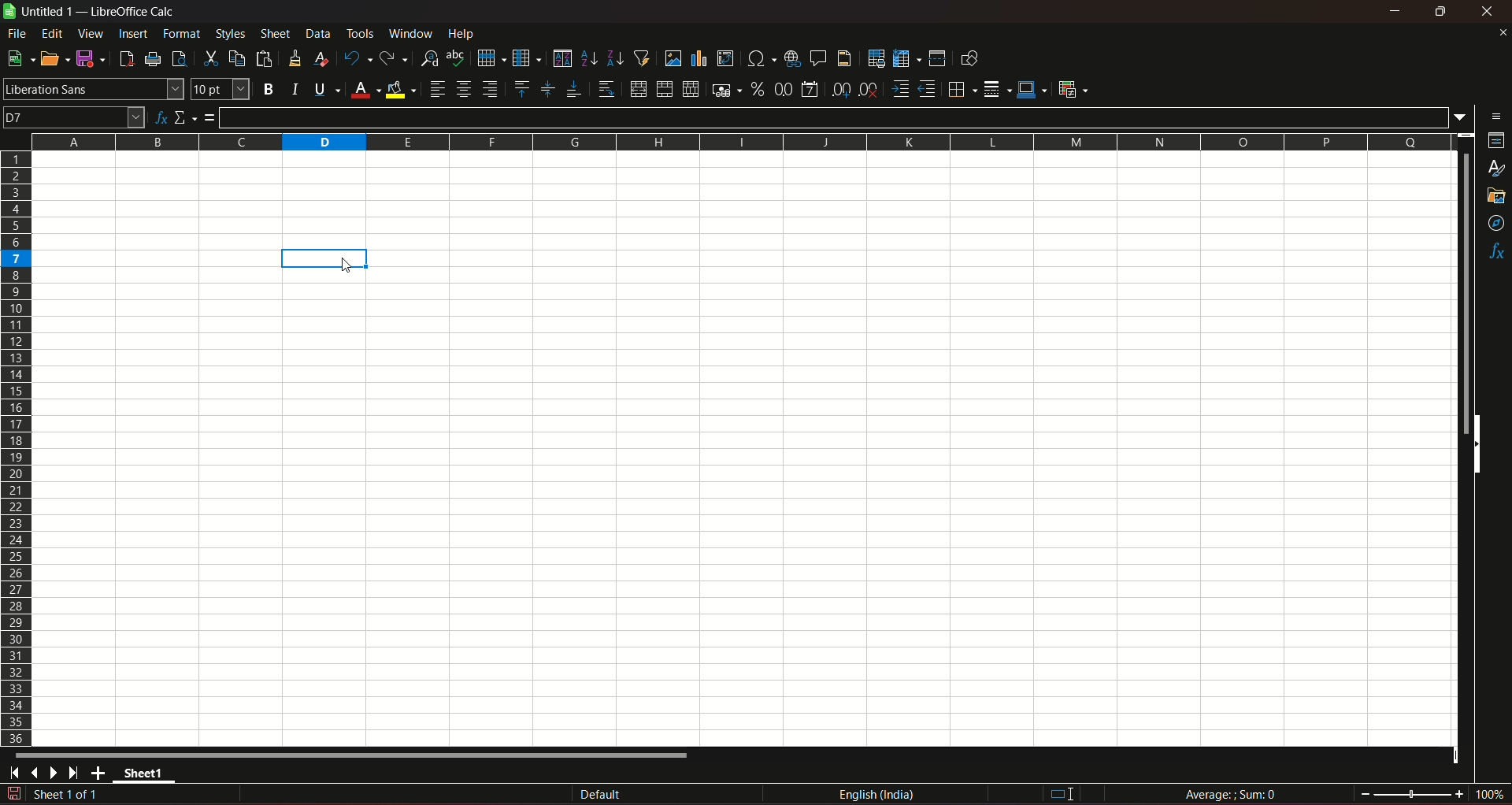 This screenshot has height=805, width=1512. What do you see at coordinates (437, 89) in the screenshot?
I see `align left` at bounding box center [437, 89].